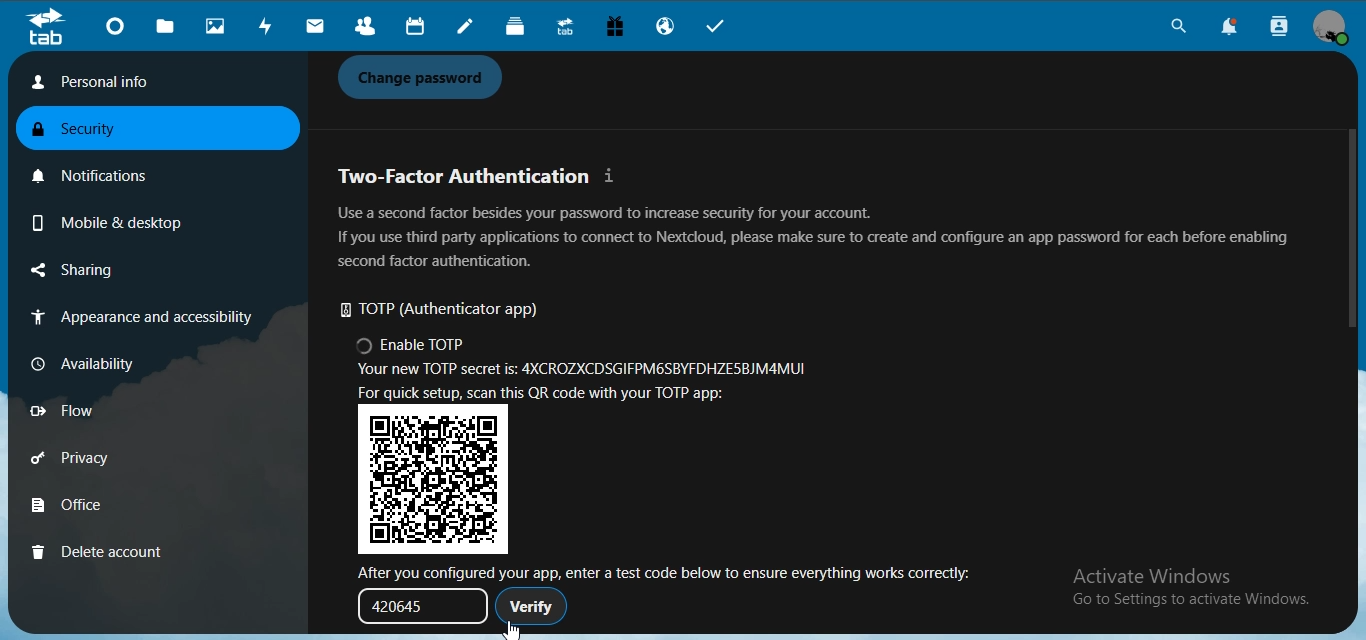  What do you see at coordinates (1332, 28) in the screenshot?
I see `manage profile` at bounding box center [1332, 28].